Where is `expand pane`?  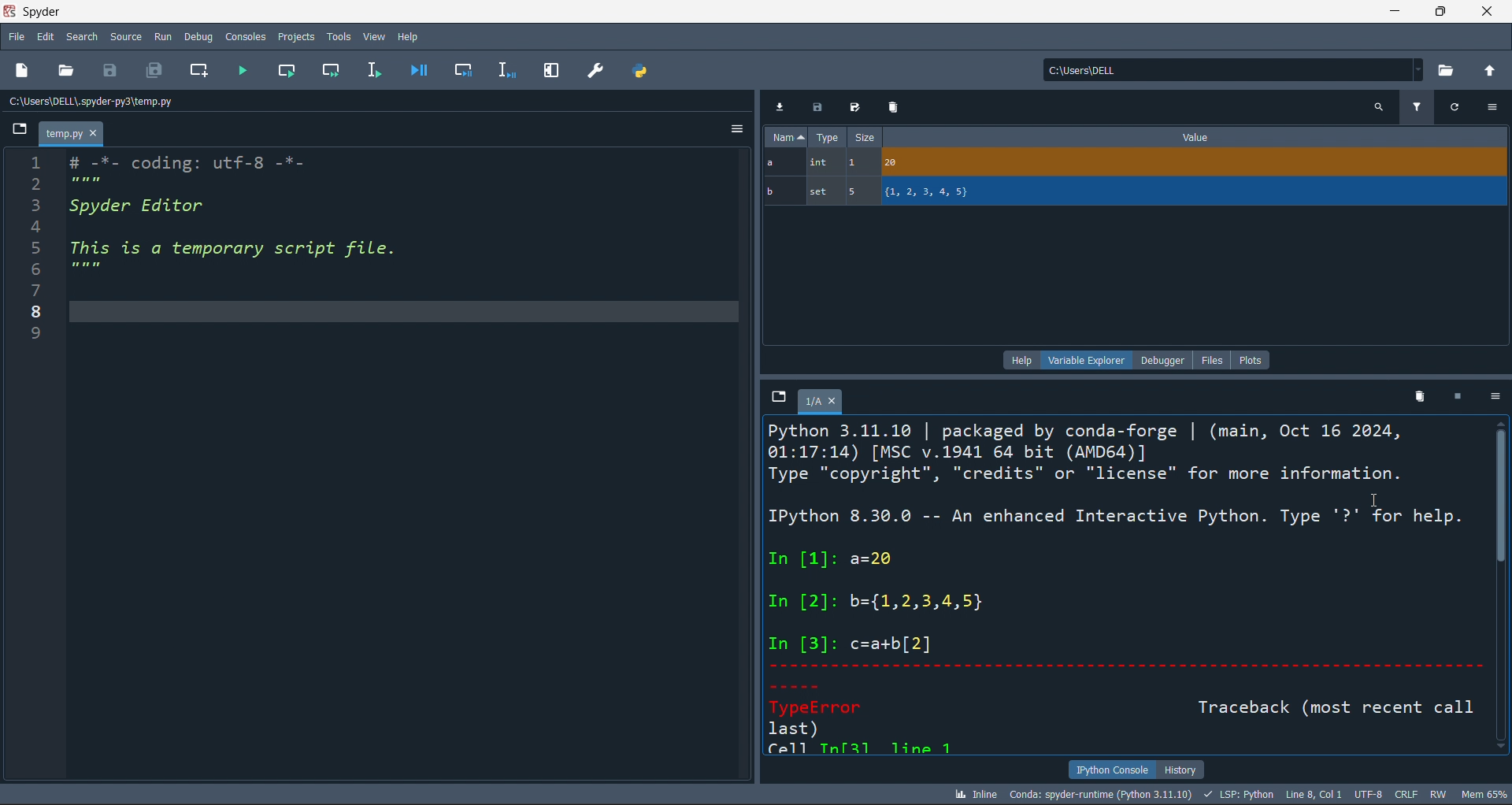 expand pane is located at coordinates (551, 71).